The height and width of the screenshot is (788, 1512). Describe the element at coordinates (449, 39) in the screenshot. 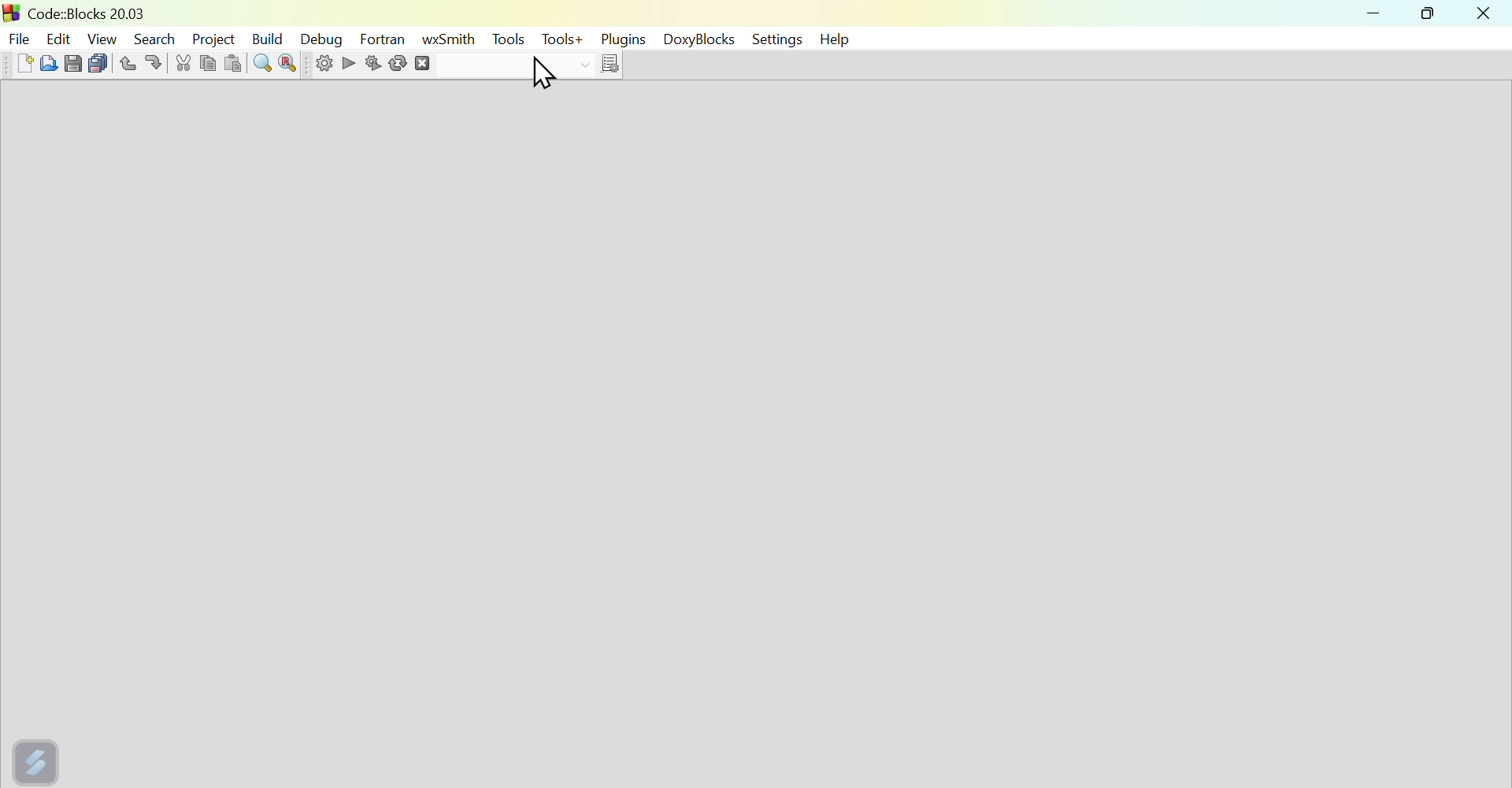

I see `WX Smith` at that location.